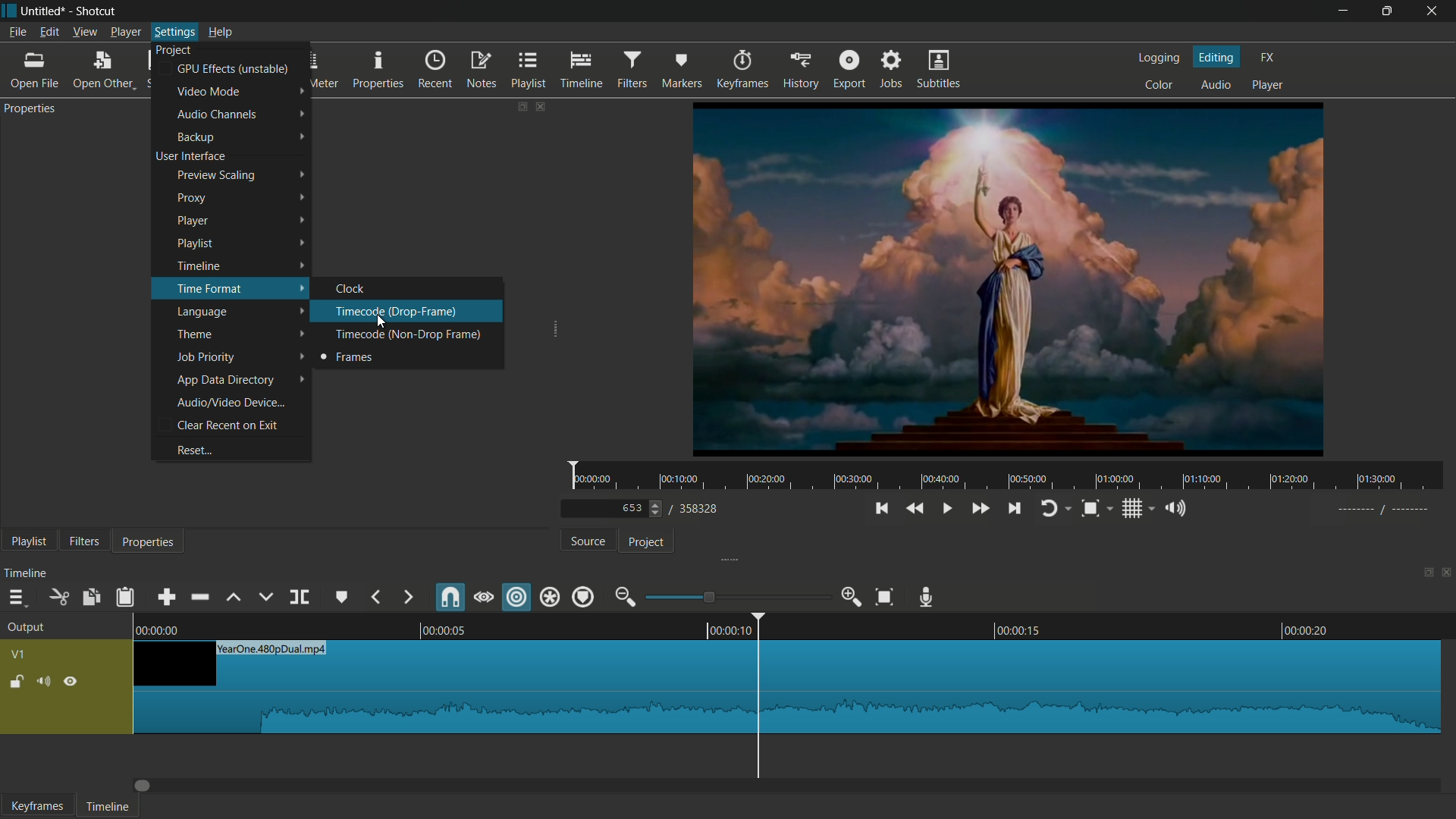 The width and height of the screenshot is (1456, 819). I want to click on editing, so click(1216, 56).